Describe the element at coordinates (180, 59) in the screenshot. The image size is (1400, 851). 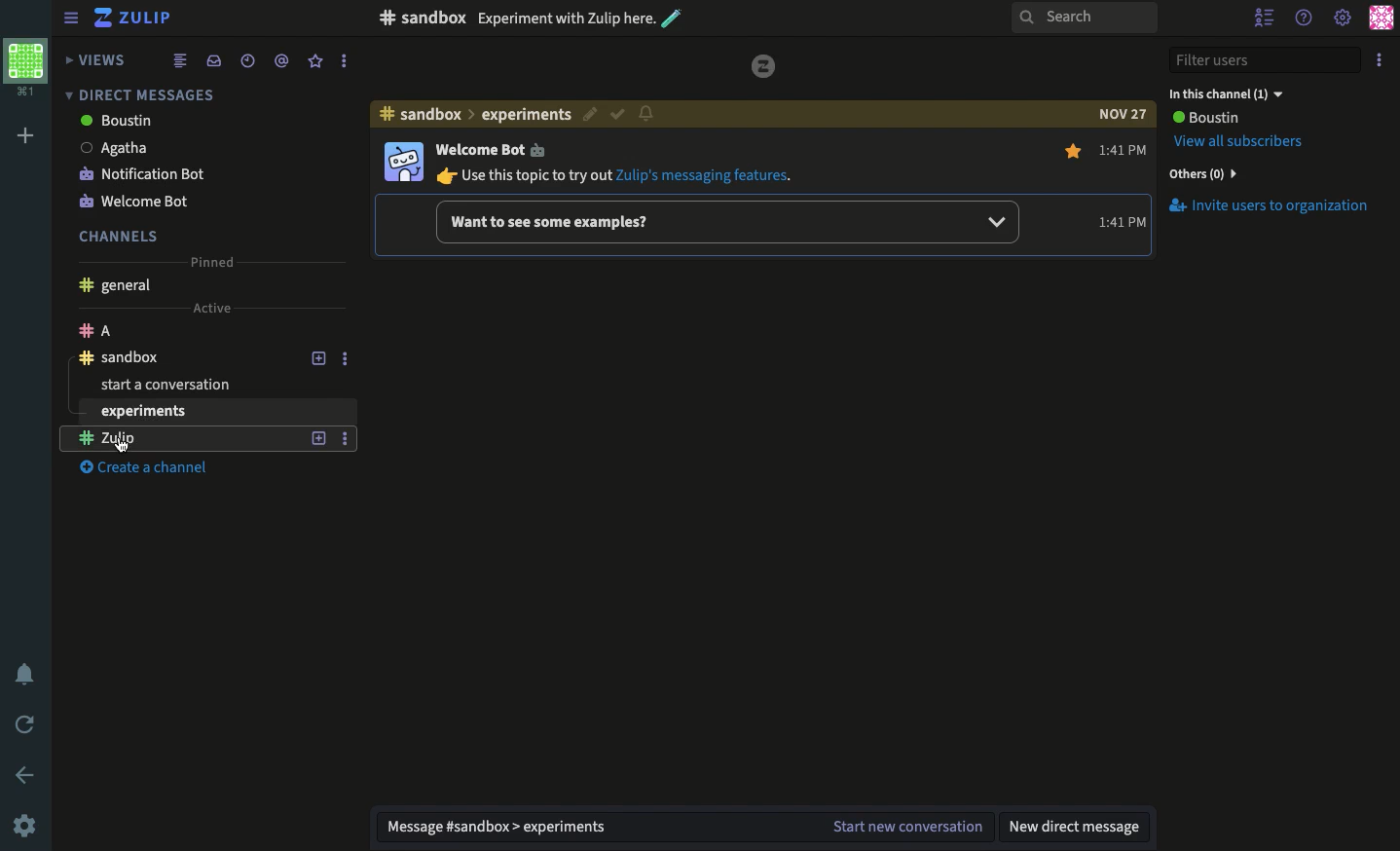
I see `Feed` at that location.